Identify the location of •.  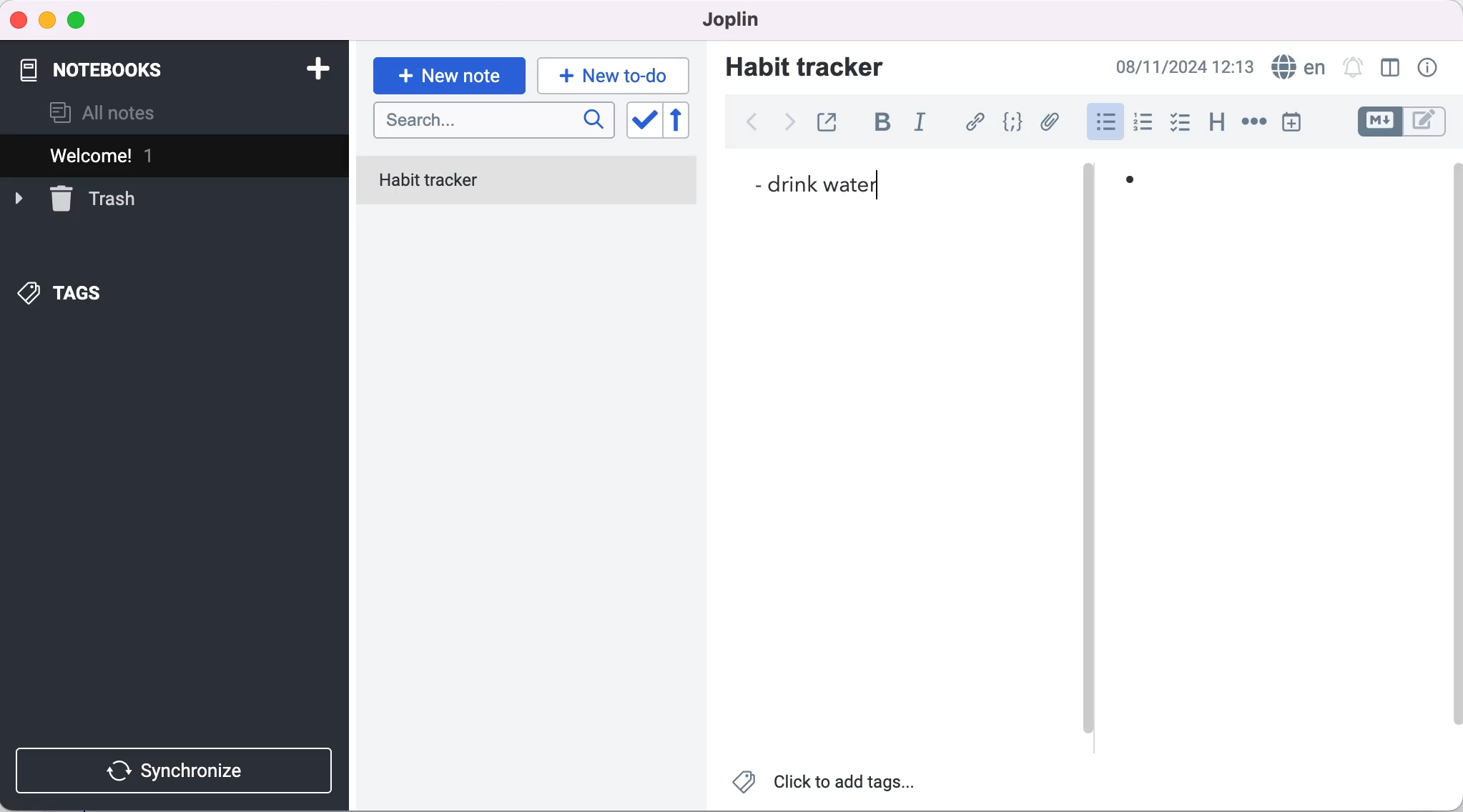
(1128, 183).